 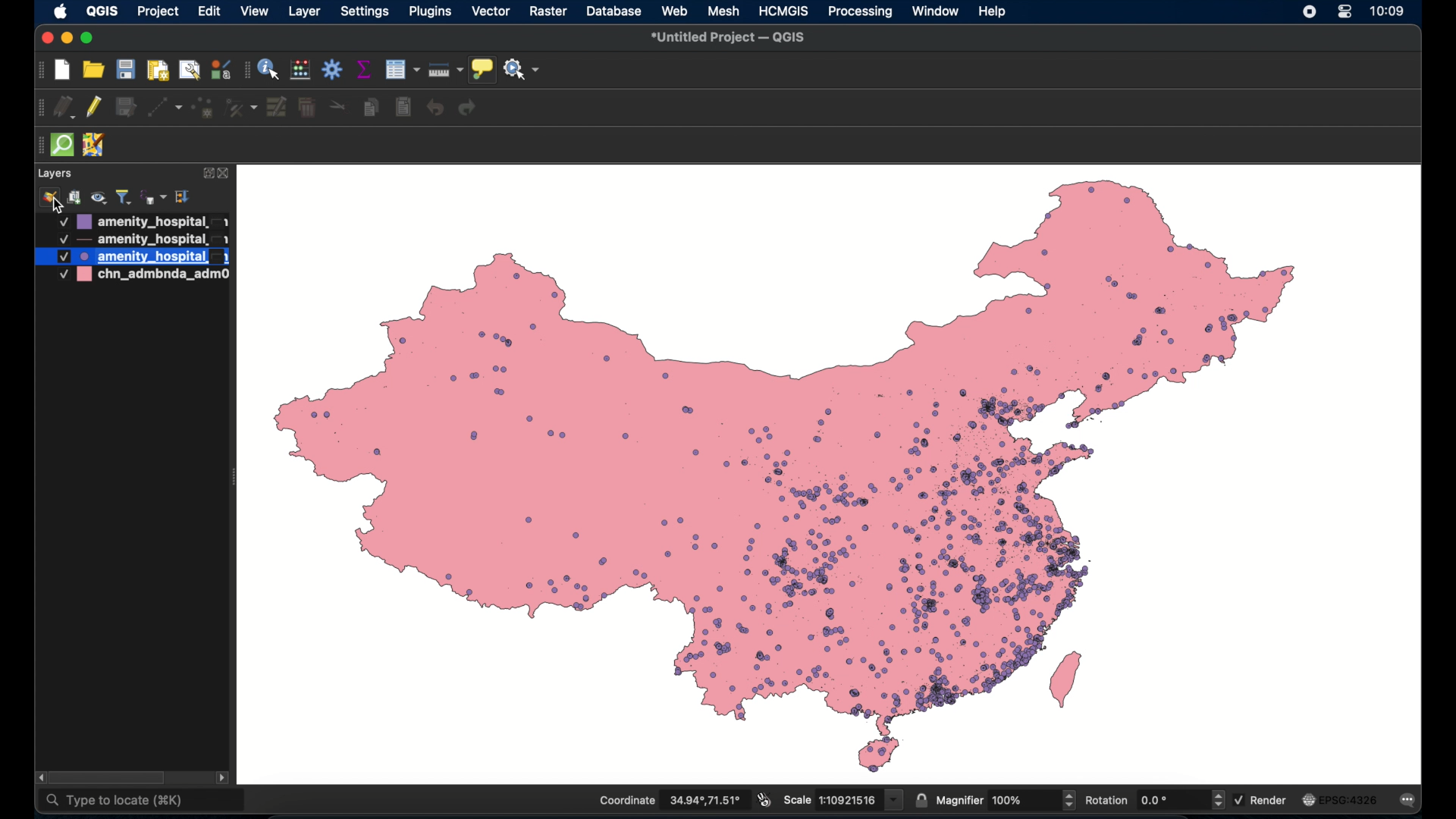 I want to click on render, so click(x=1260, y=799).